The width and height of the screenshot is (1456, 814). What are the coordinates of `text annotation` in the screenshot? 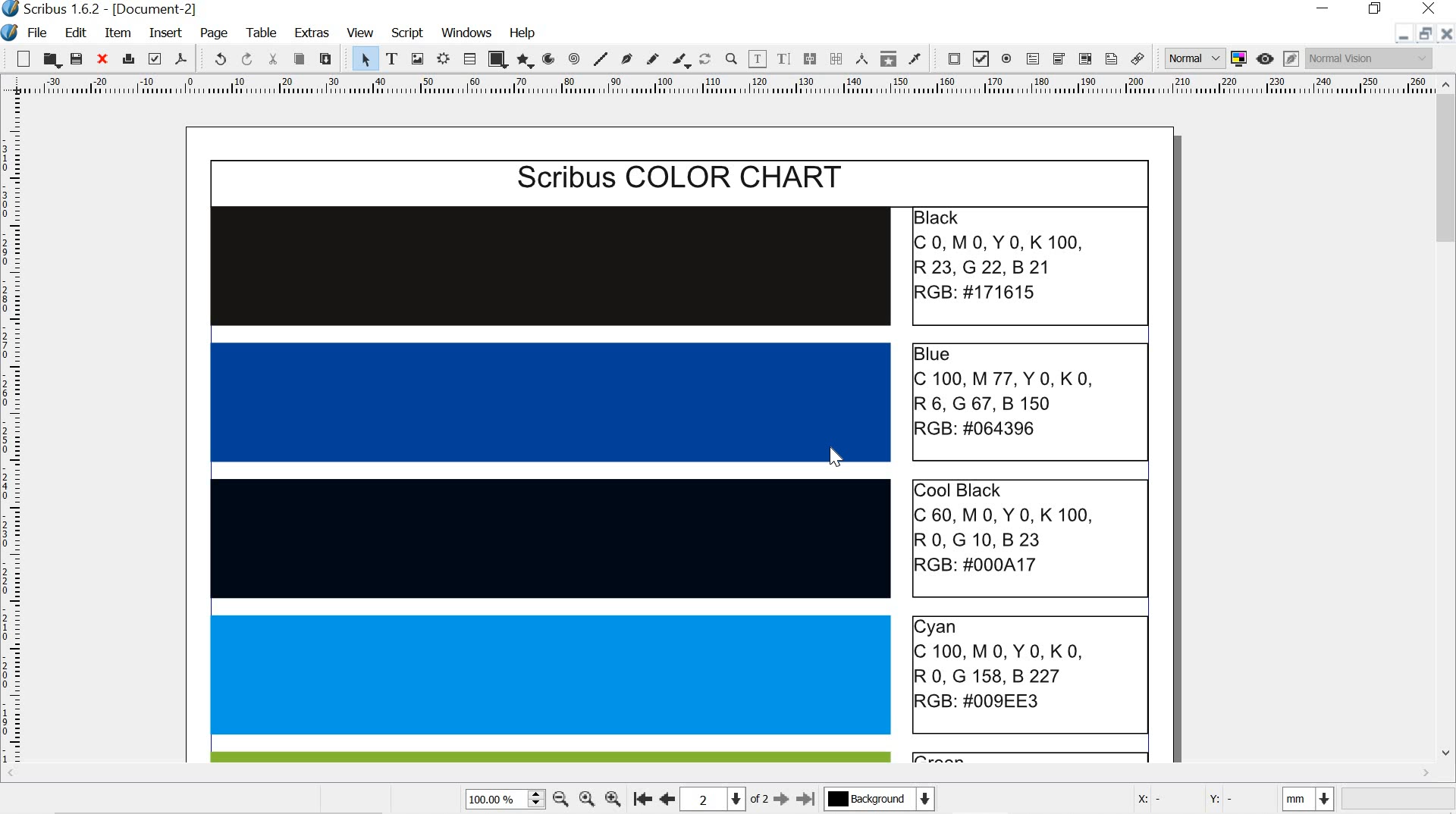 It's located at (1112, 59).